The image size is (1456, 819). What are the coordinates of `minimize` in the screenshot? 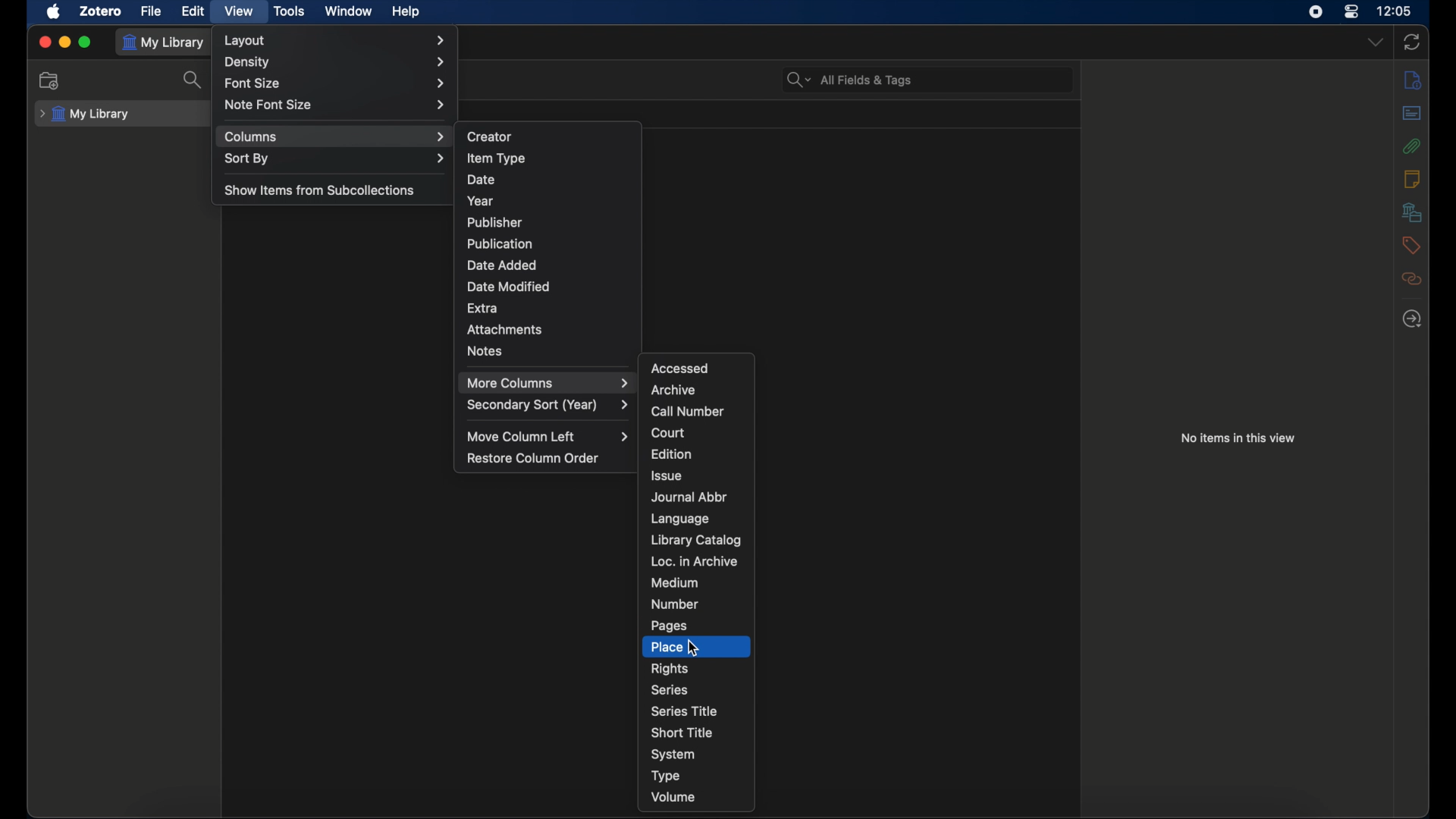 It's located at (65, 42).